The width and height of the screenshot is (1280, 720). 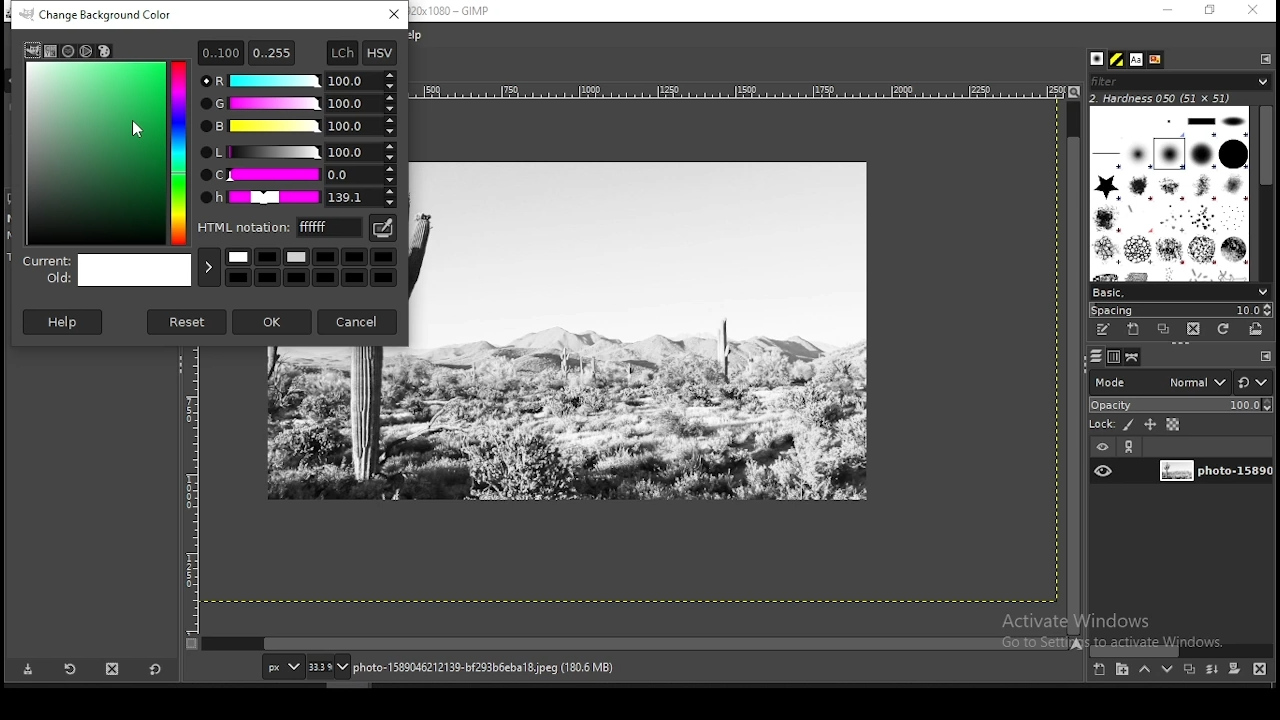 What do you see at coordinates (1264, 356) in the screenshot?
I see `configure this pane` at bounding box center [1264, 356].